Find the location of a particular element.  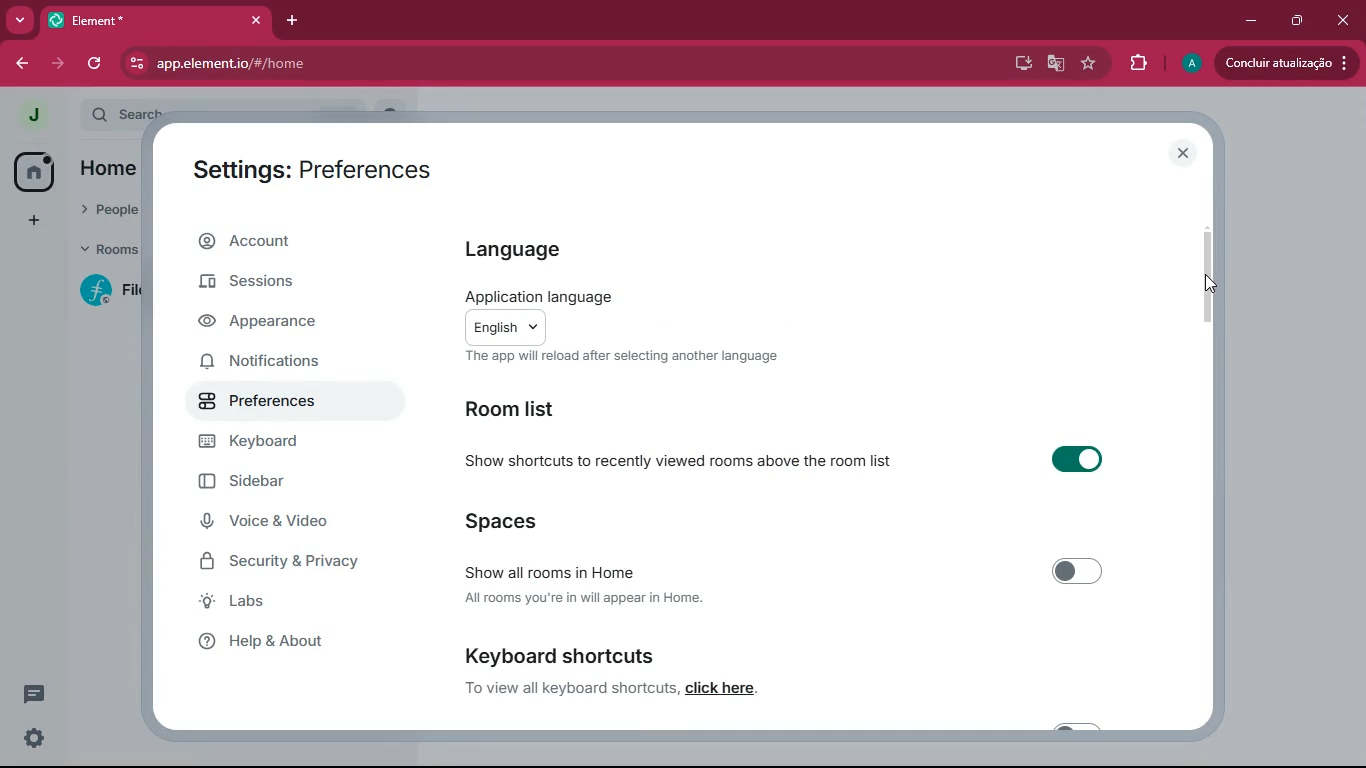

profile picture is located at coordinates (1189, 64).